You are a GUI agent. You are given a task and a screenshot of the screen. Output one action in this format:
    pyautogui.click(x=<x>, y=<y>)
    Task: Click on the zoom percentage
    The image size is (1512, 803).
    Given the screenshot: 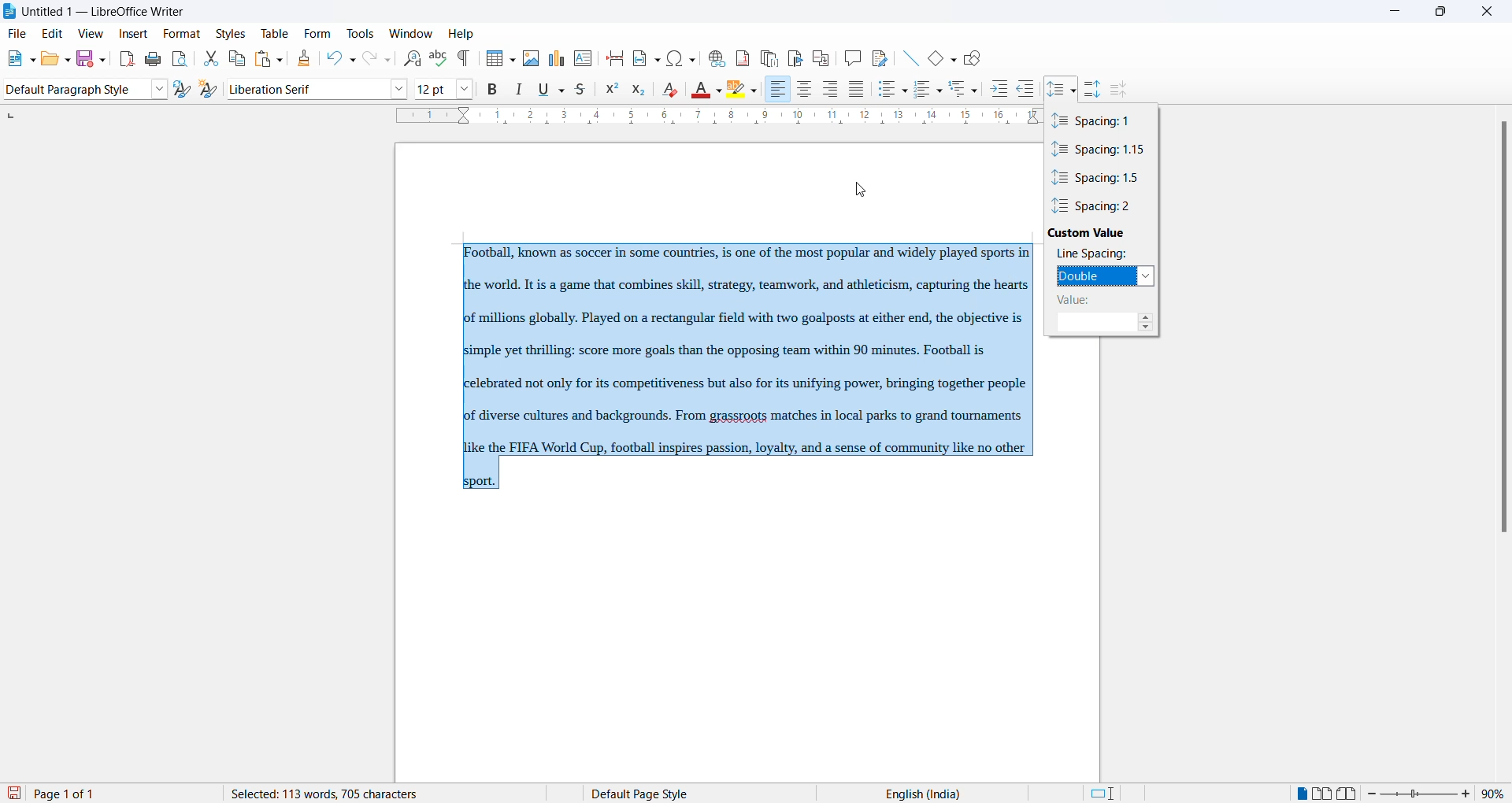 What is the action you would take?
    pyautogui.click(x=1495, y=793)
    